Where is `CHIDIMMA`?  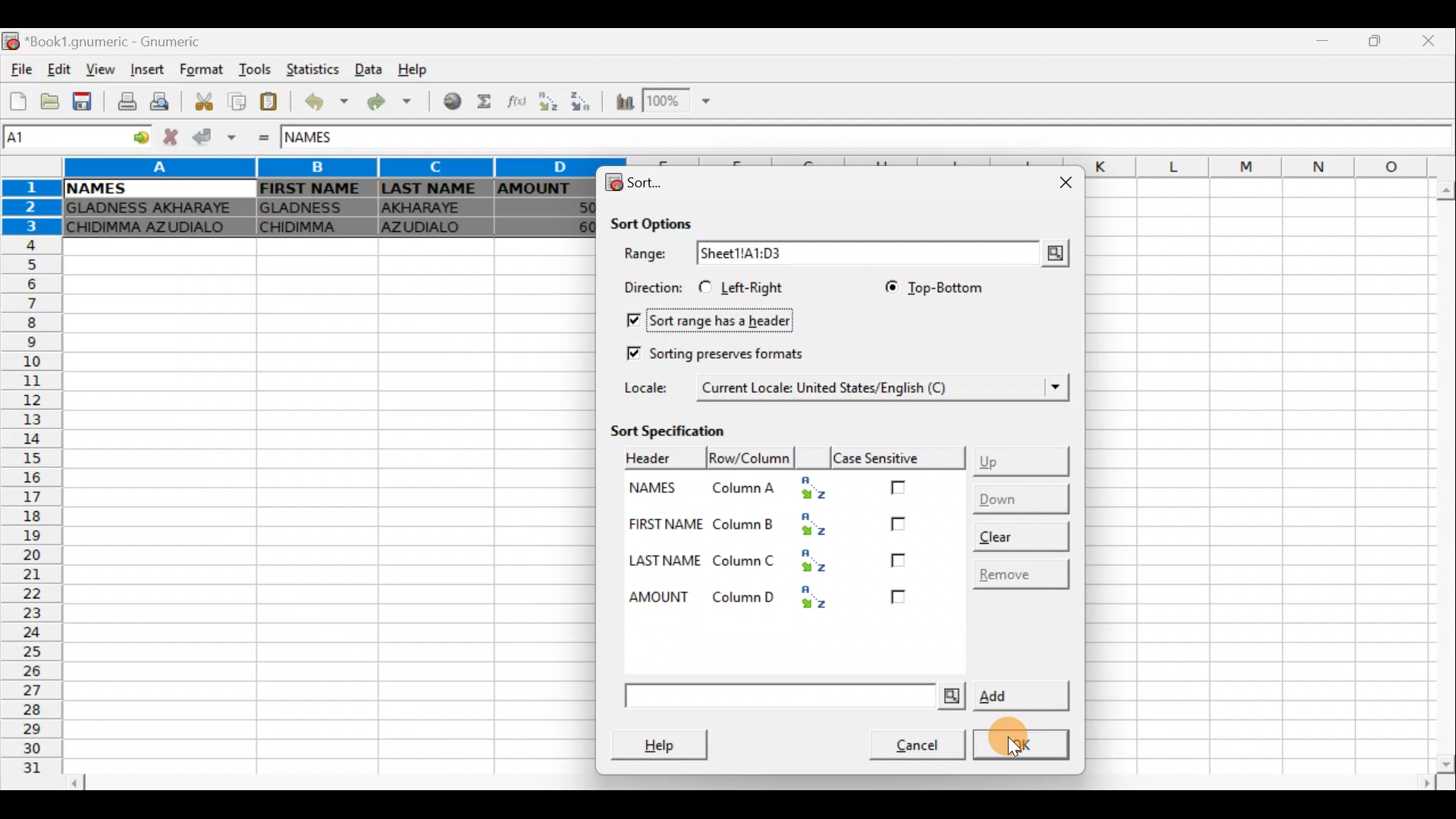 CHIDIMMA is located at coordinates (313, 227).